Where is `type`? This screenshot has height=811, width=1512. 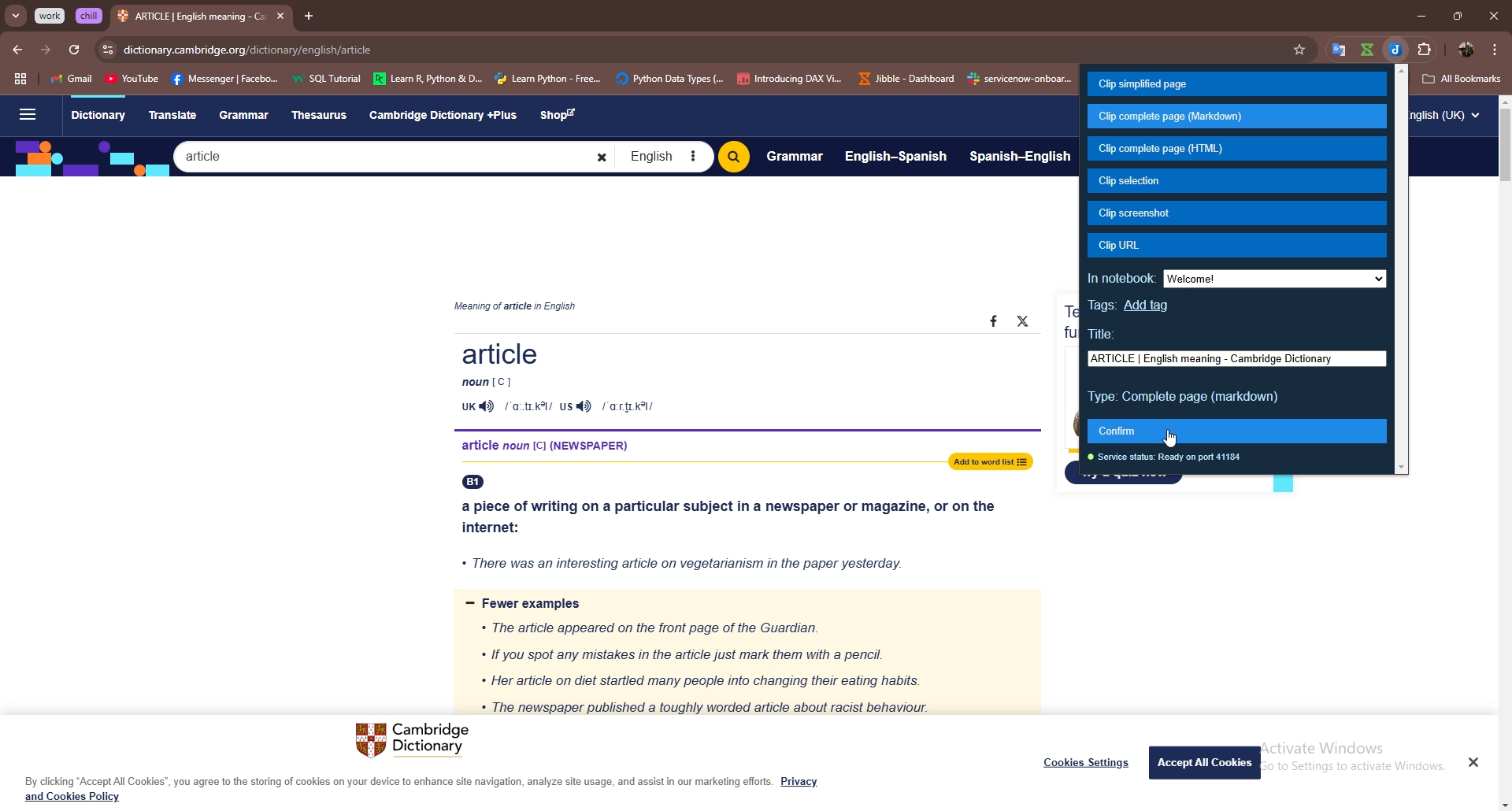
type is located at coordinates (1186, 398).